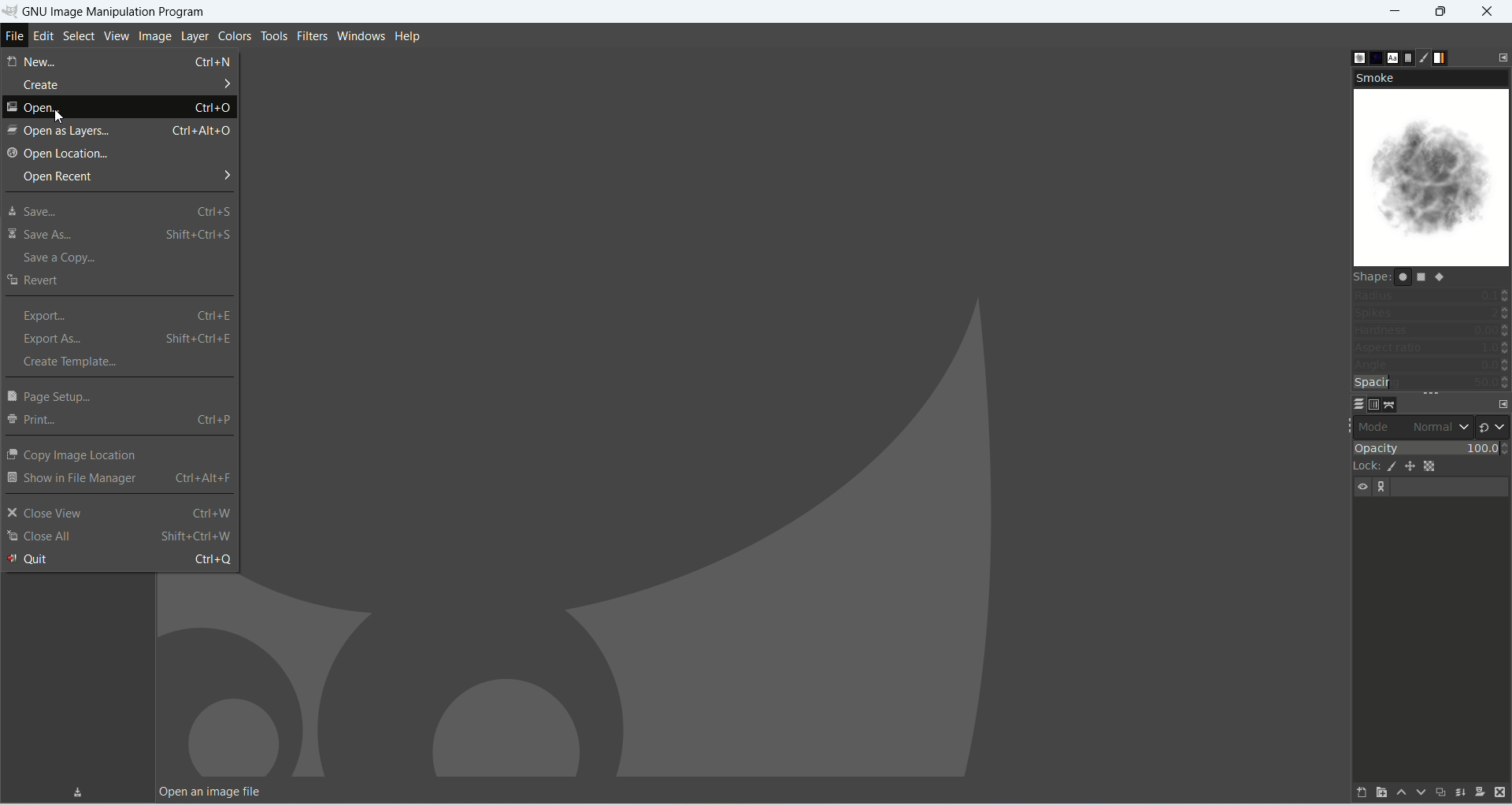  Describe the element at coordinates (1432, 311) in the screenshot. I see `spikes` at that location.